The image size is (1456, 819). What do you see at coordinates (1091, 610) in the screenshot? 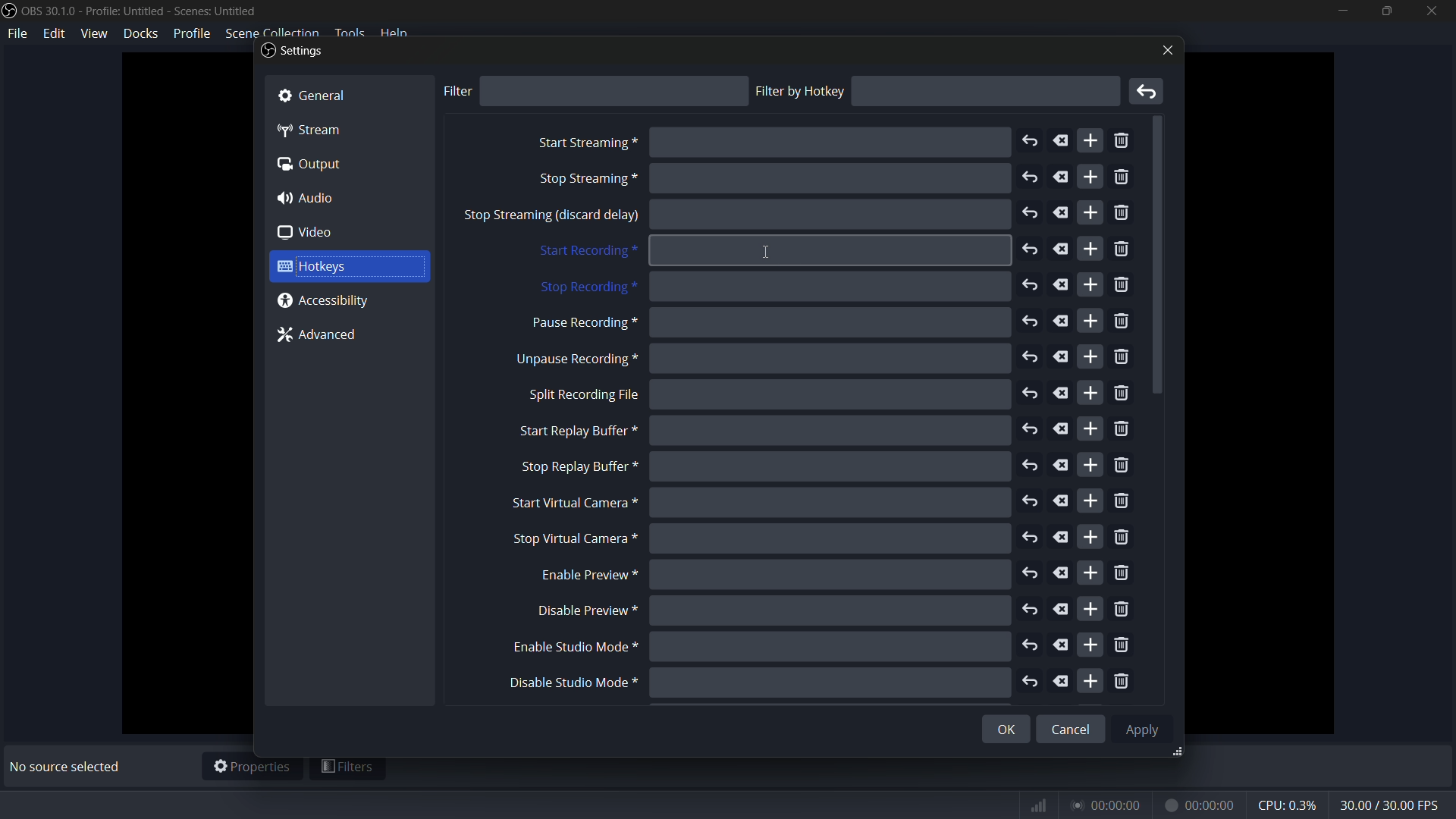
I see `add more` at bounding box center [1091, 610].